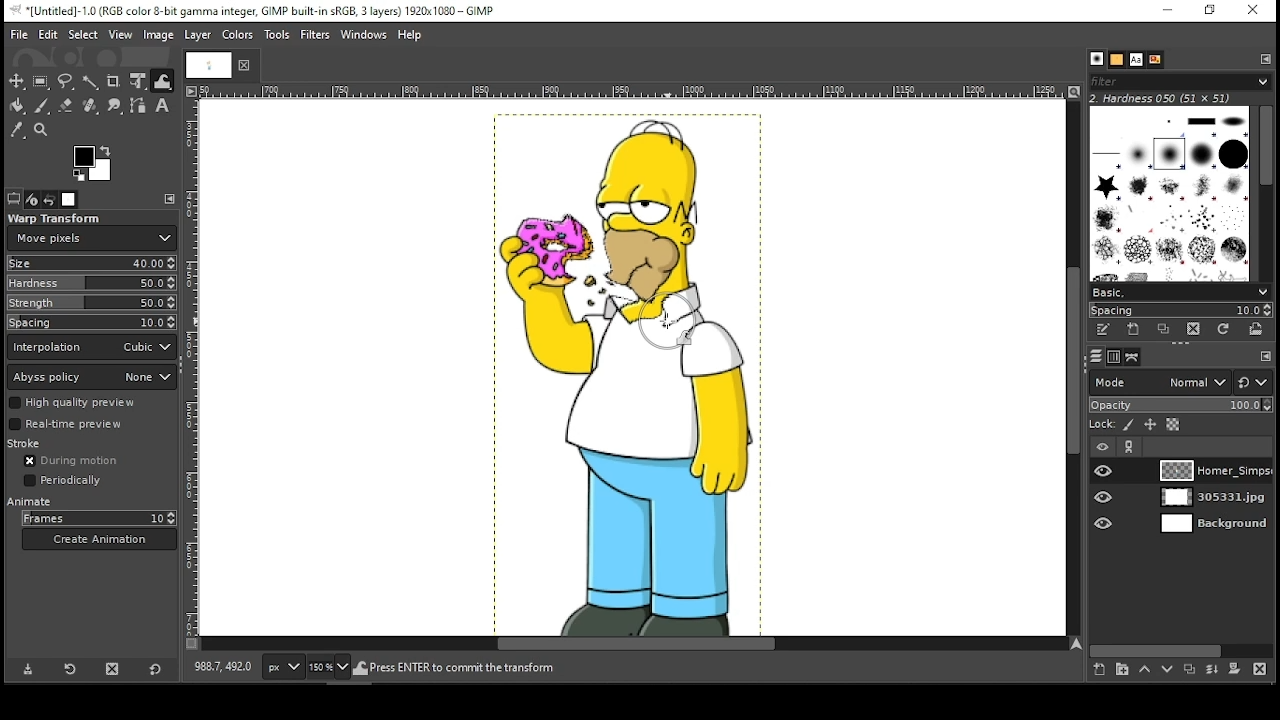 The image size is (1280, 720). Describe the element at coordinates (1150, 424) in the screenshot. I see `lock position and size` at that location.